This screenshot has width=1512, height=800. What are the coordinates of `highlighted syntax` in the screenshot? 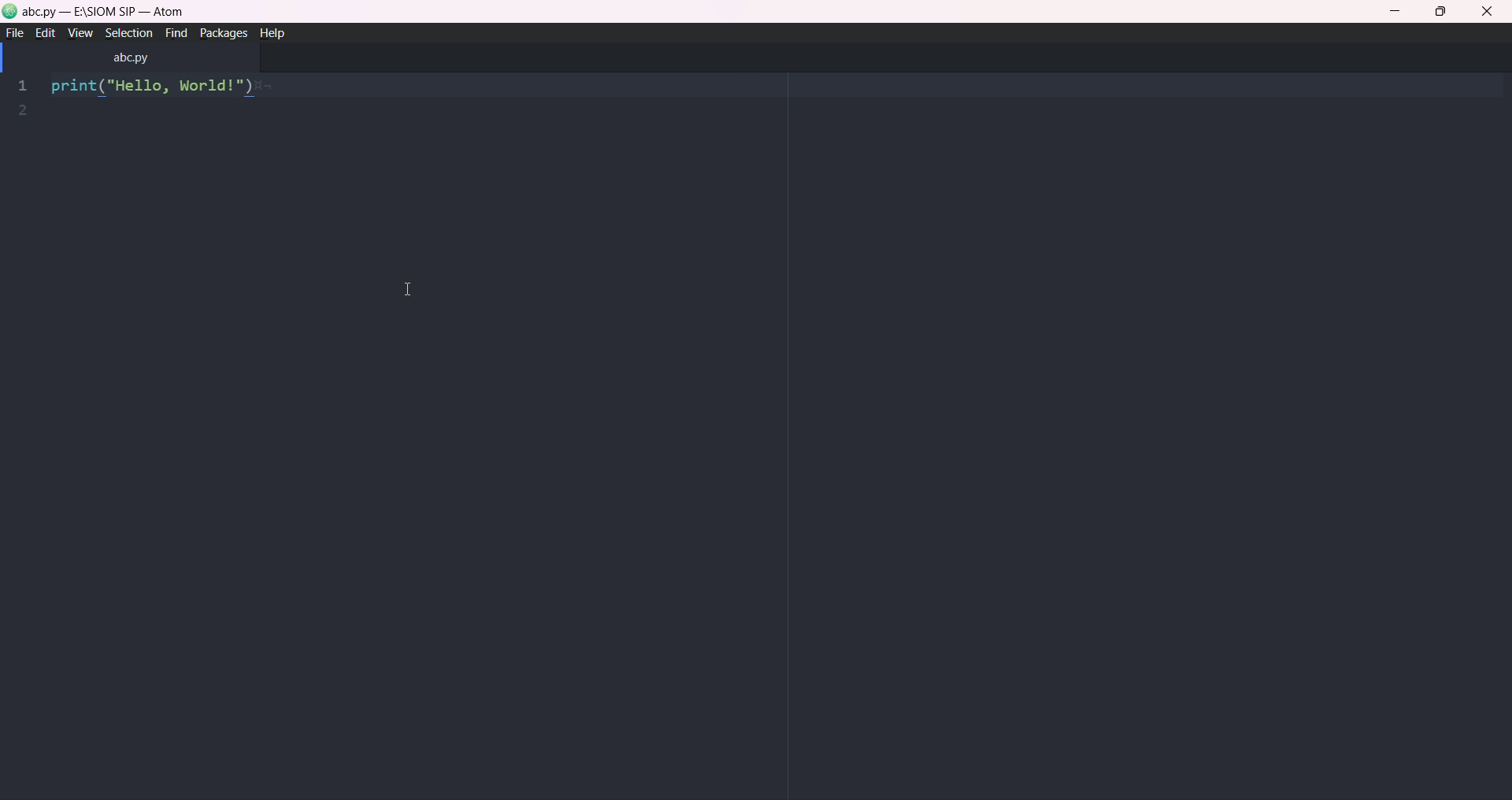 It's located at (153, 88).